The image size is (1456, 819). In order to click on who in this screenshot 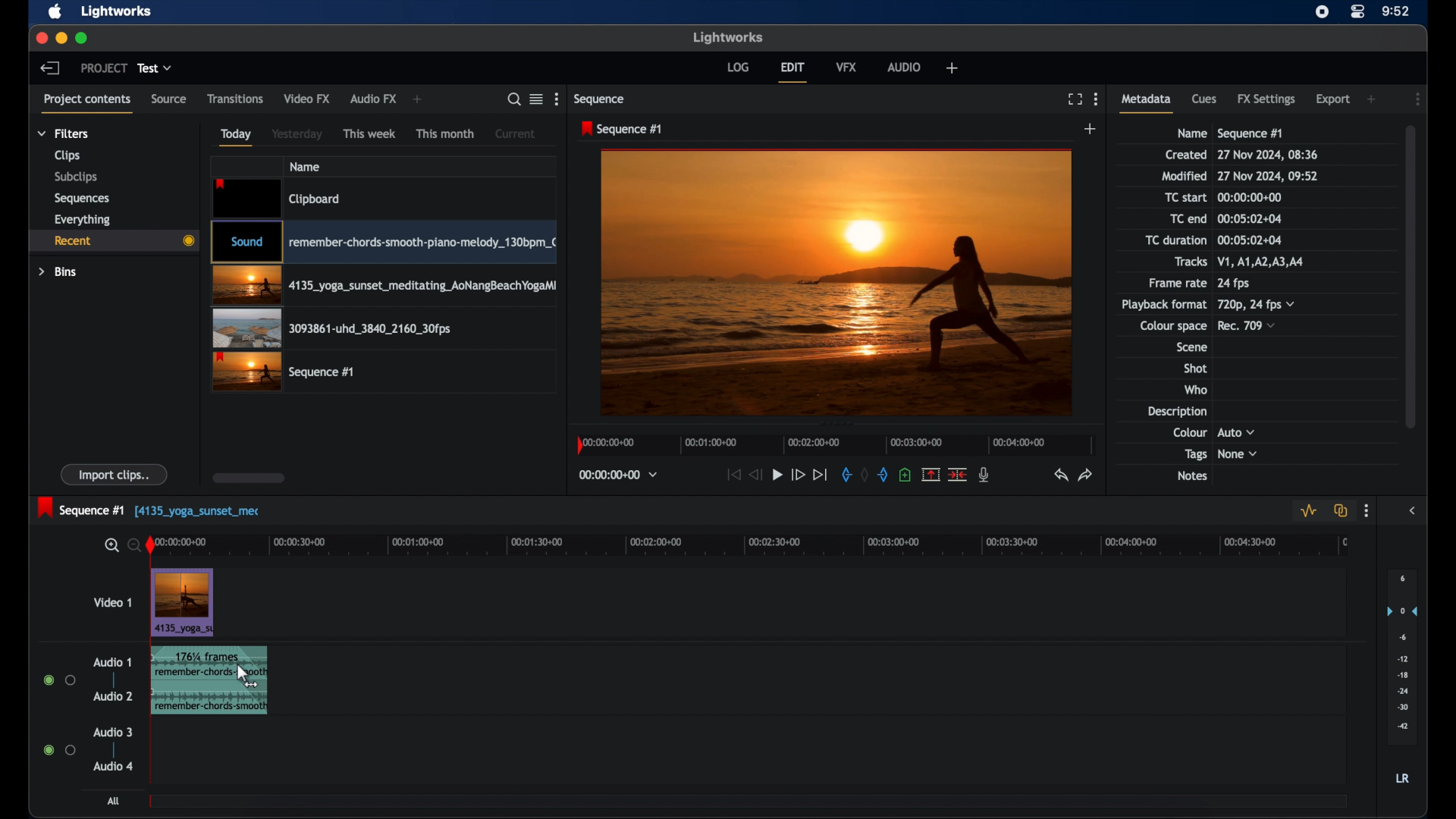, I will do `click(1196, 389)`.